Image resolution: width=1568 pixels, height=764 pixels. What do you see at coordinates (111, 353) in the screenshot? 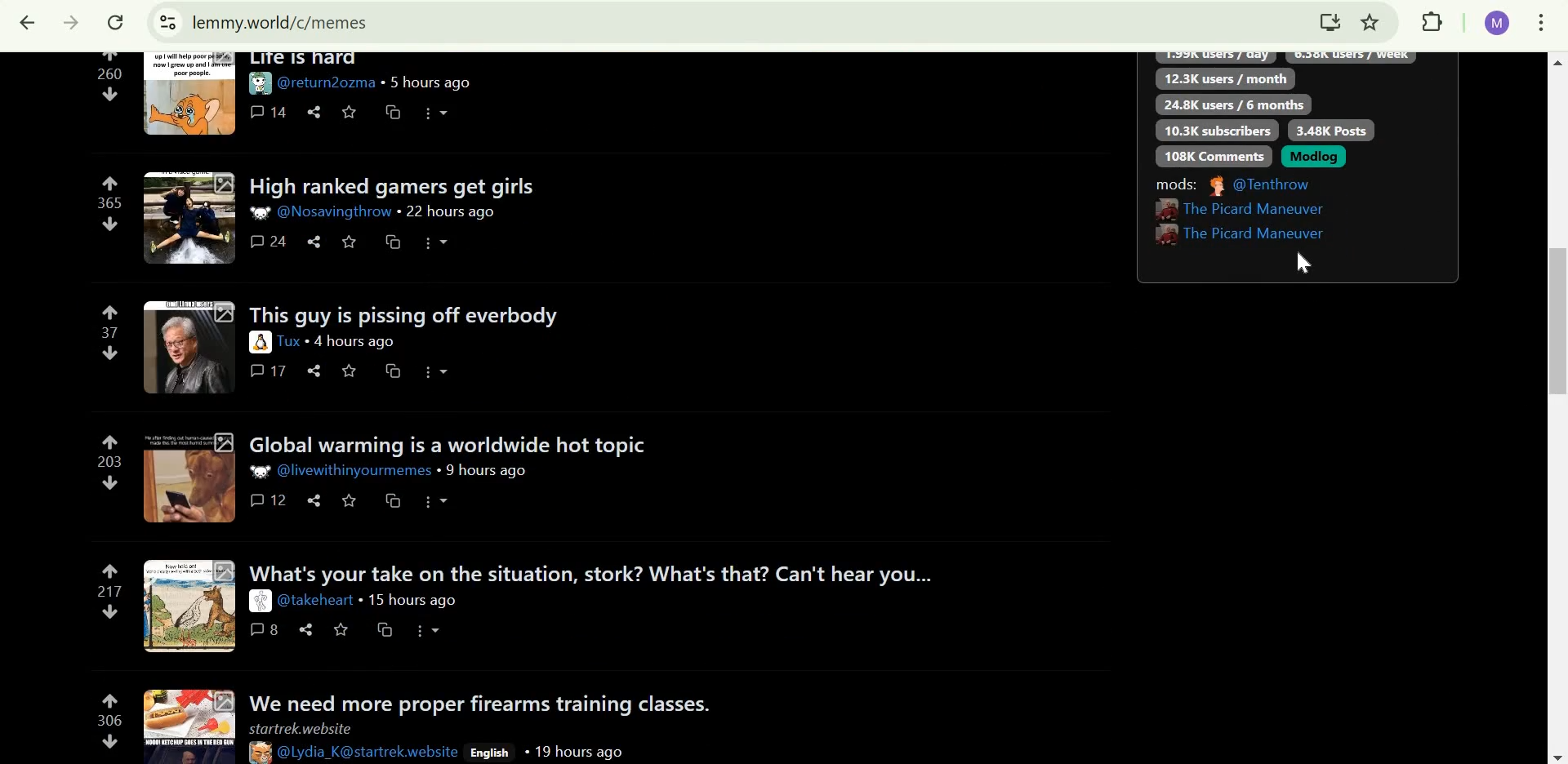
I see `downvote` at bounding box center [111, 353].